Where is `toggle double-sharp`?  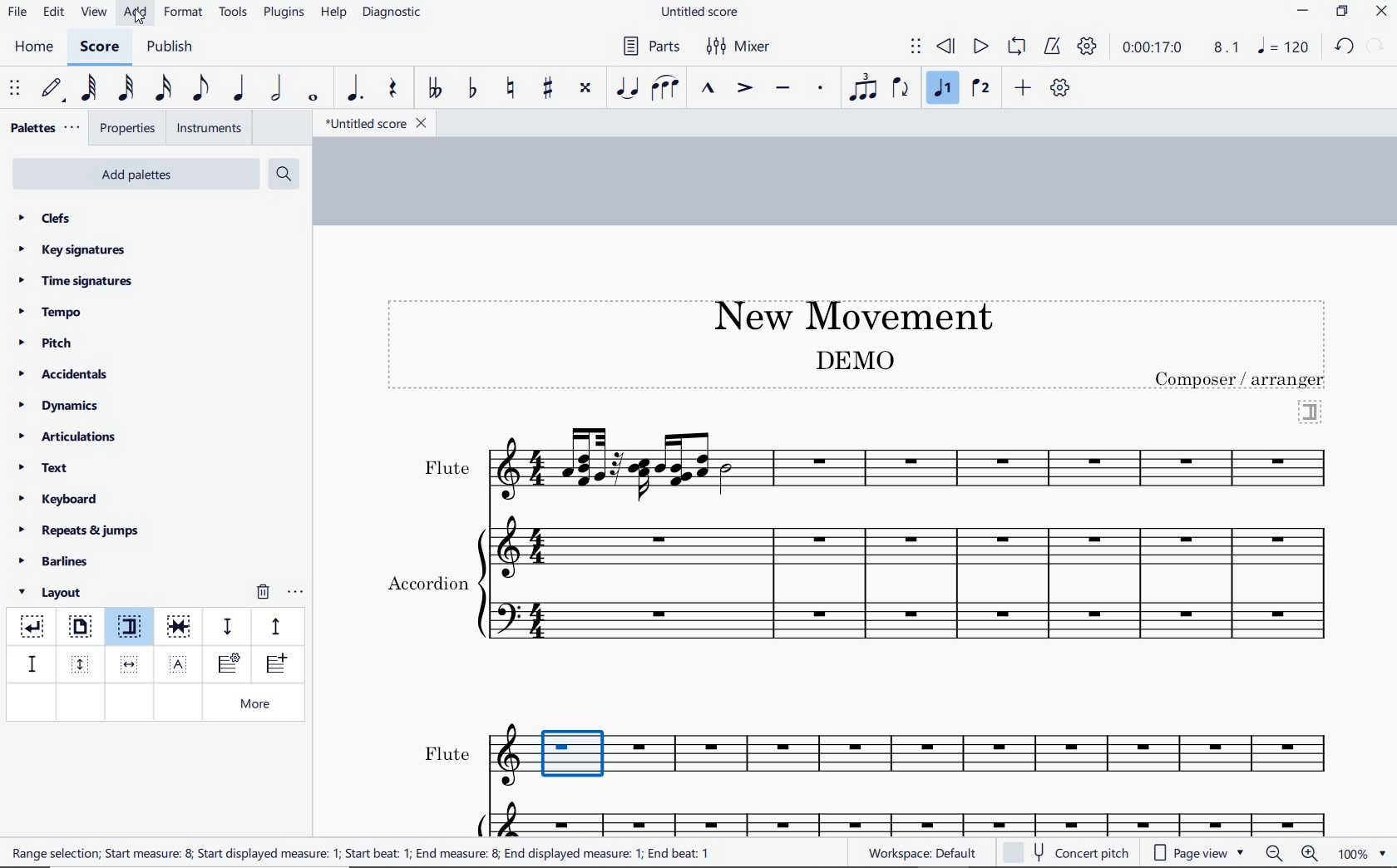 toggle double-sharp is located at coordinates (586, 88).